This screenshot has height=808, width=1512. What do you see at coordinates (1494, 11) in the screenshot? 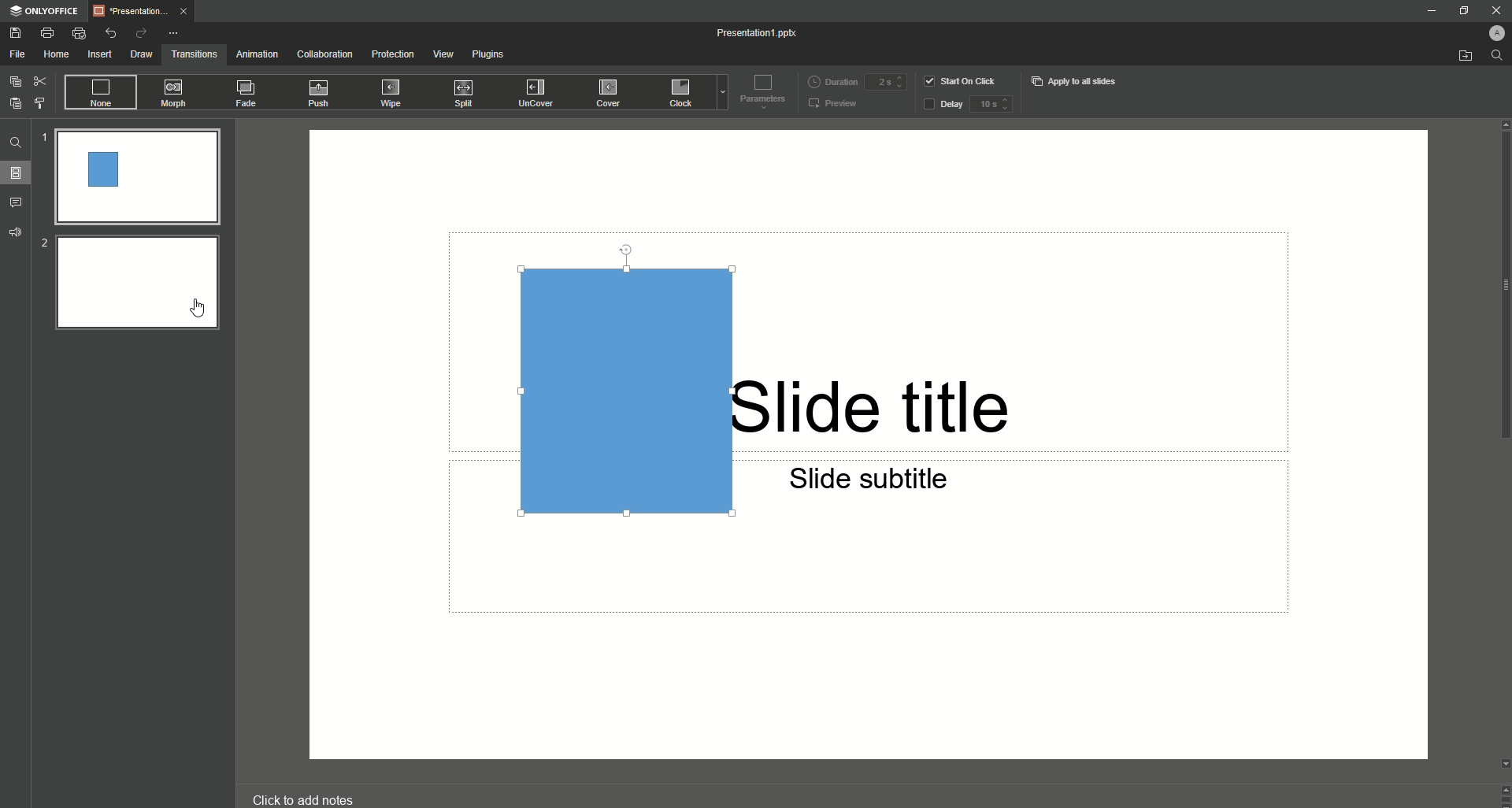
I see `Close` at bounding box center [1494, 11].